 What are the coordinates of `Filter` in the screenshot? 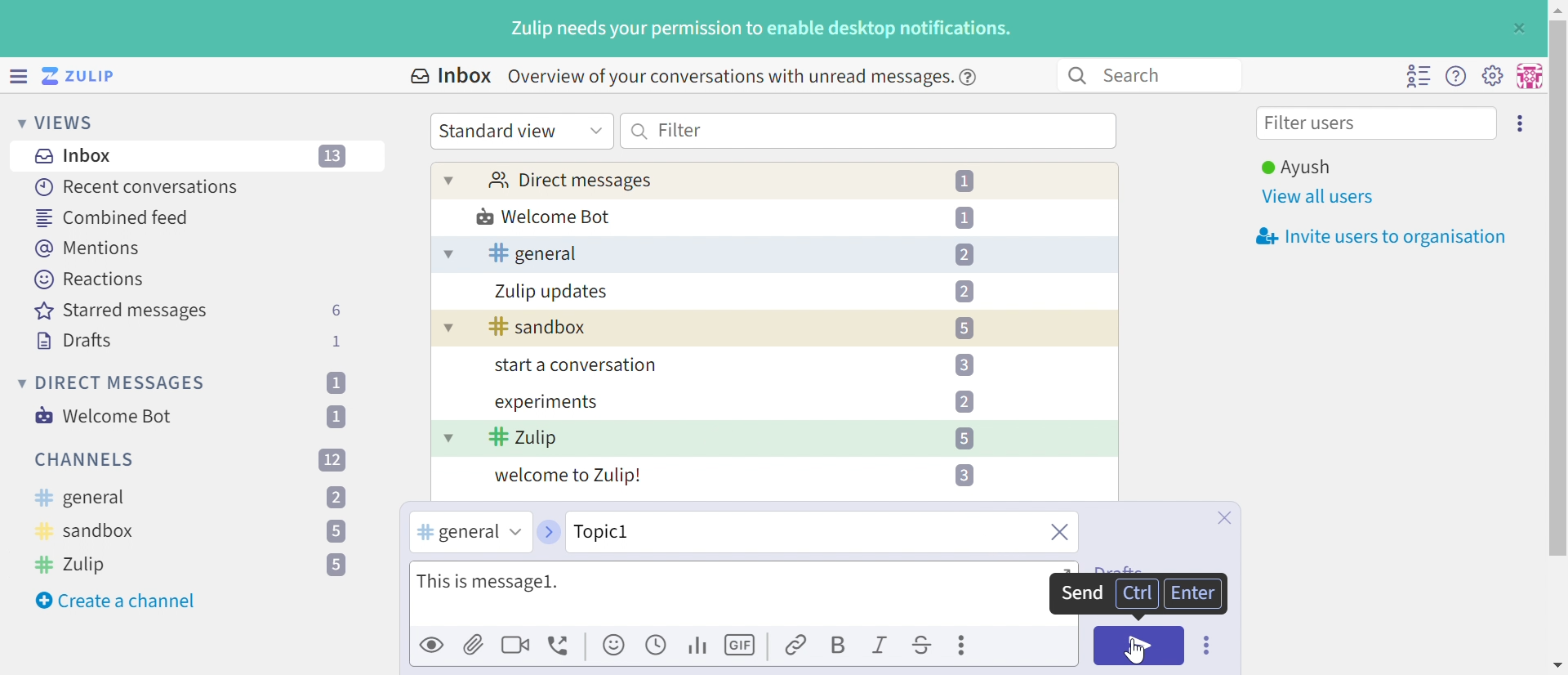 It's located at (680, 129).